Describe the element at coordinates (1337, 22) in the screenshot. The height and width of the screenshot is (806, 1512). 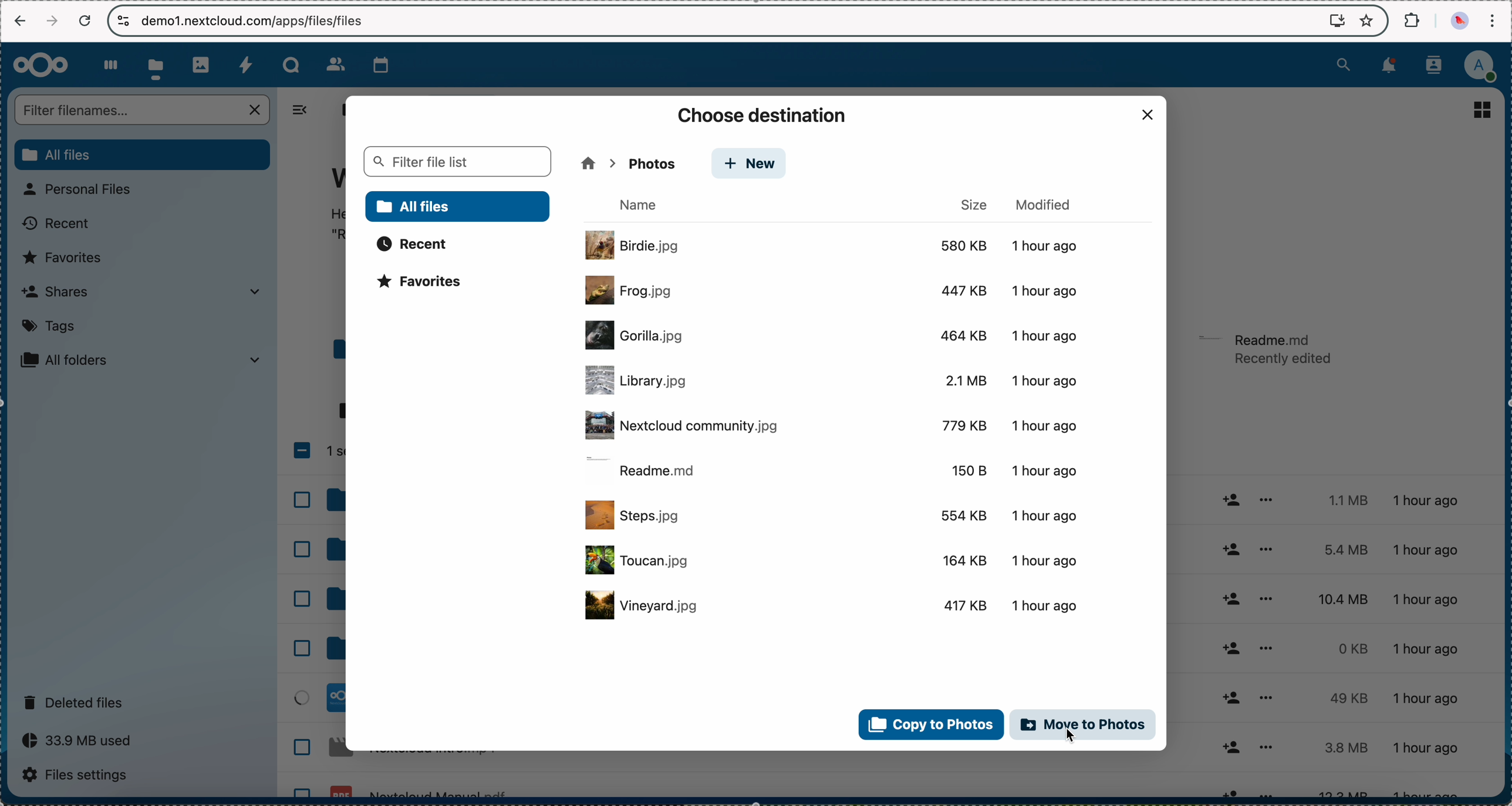
I see `install Nextcloud` at that location.